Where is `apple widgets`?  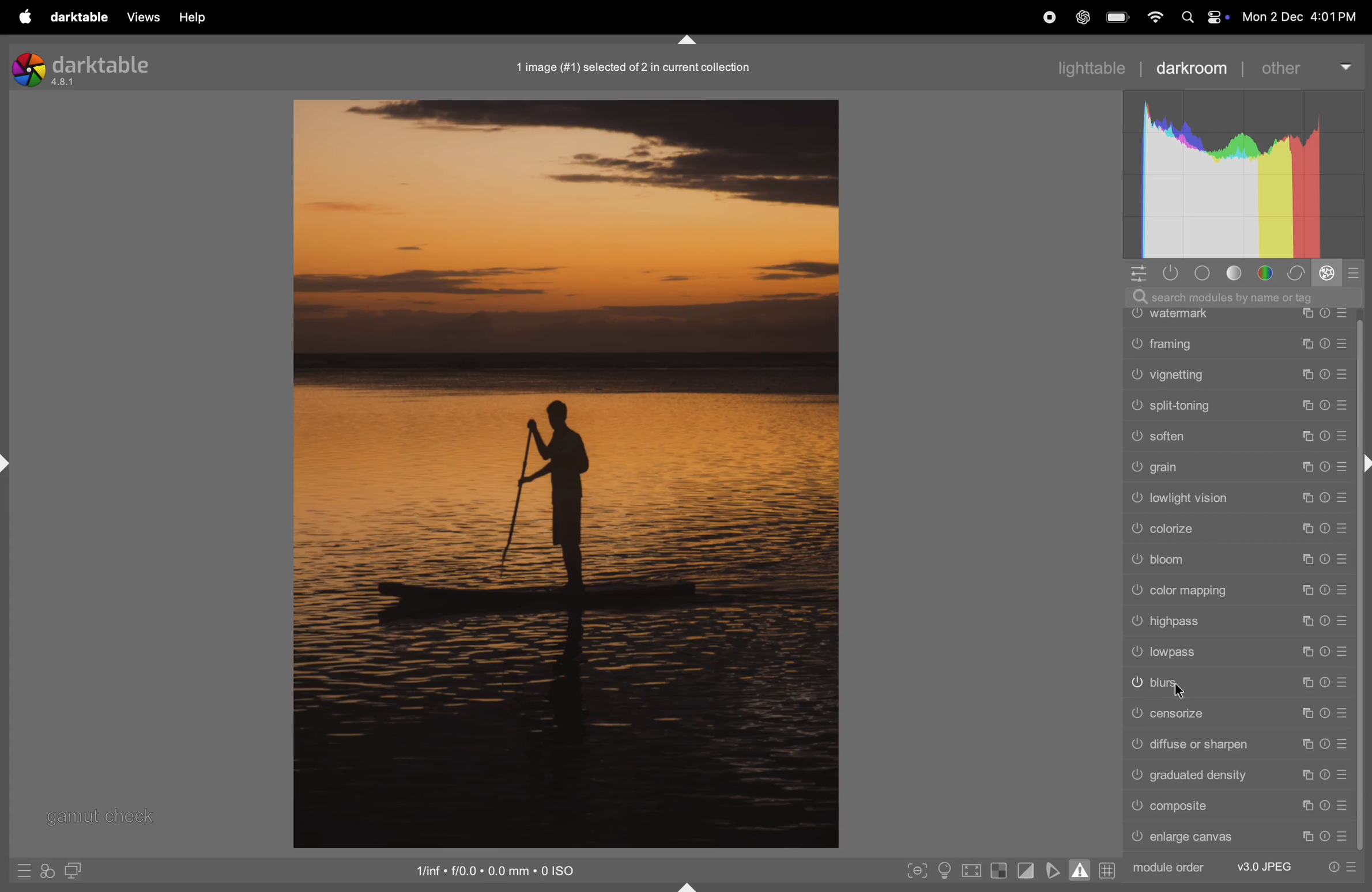
apple widgets is located at coordinates (1201, 17).